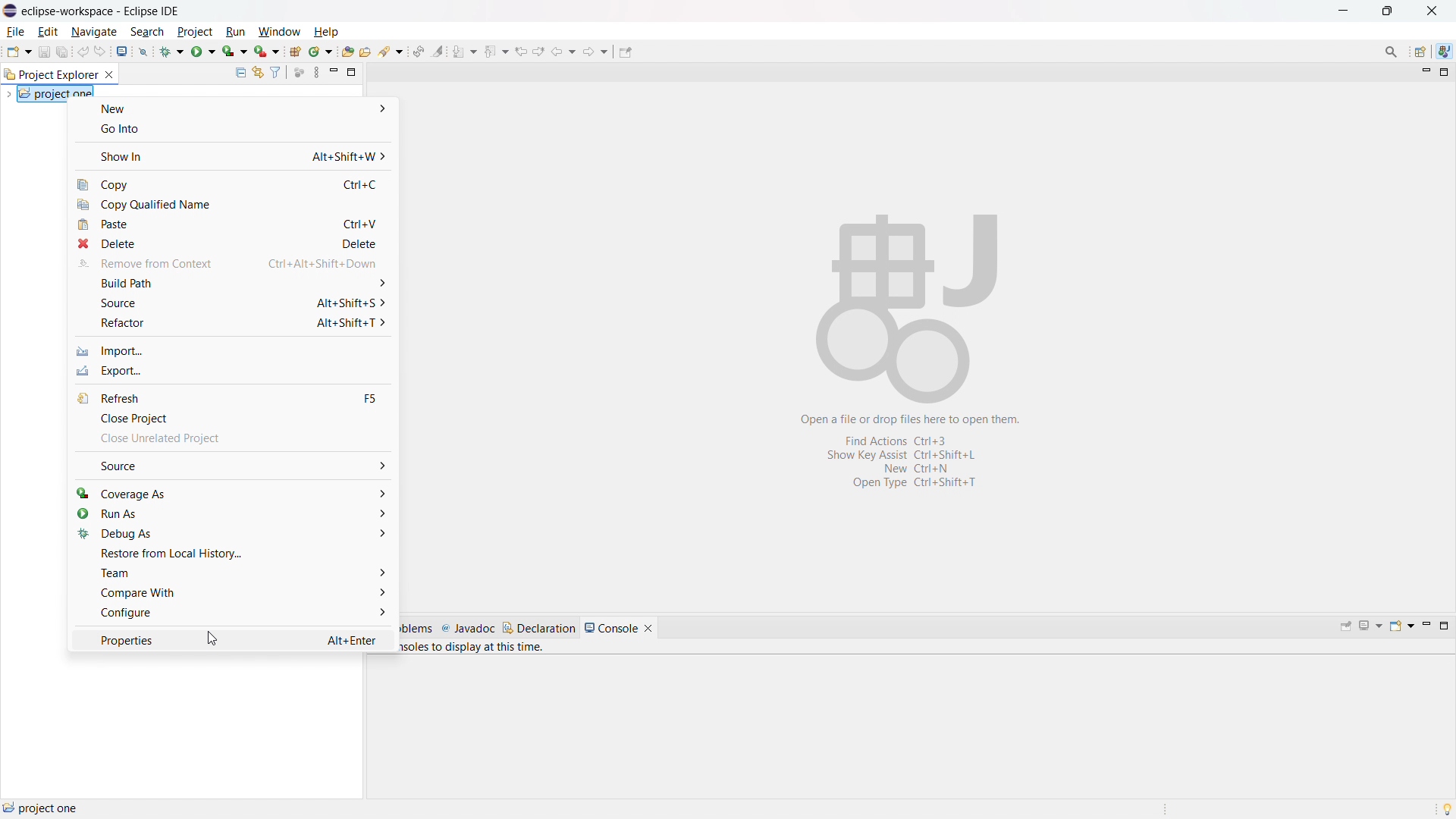  I want to click on close, so click(1432, 11).